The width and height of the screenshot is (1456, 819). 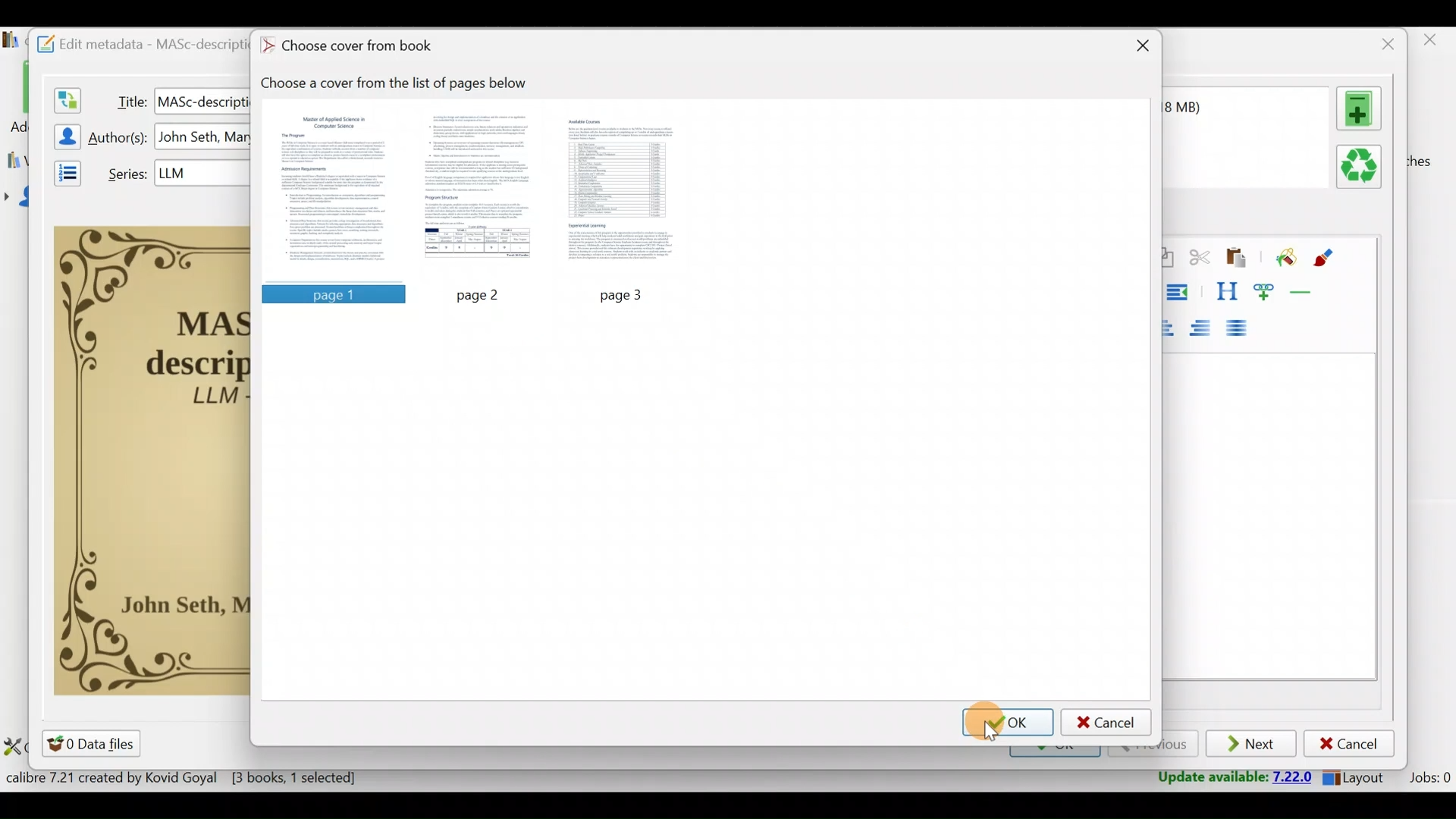 What do you see at coordinates (1362, 168) in the screenshot?
I see `Remove the selected format from this book` at bounding box center [1362, 168].